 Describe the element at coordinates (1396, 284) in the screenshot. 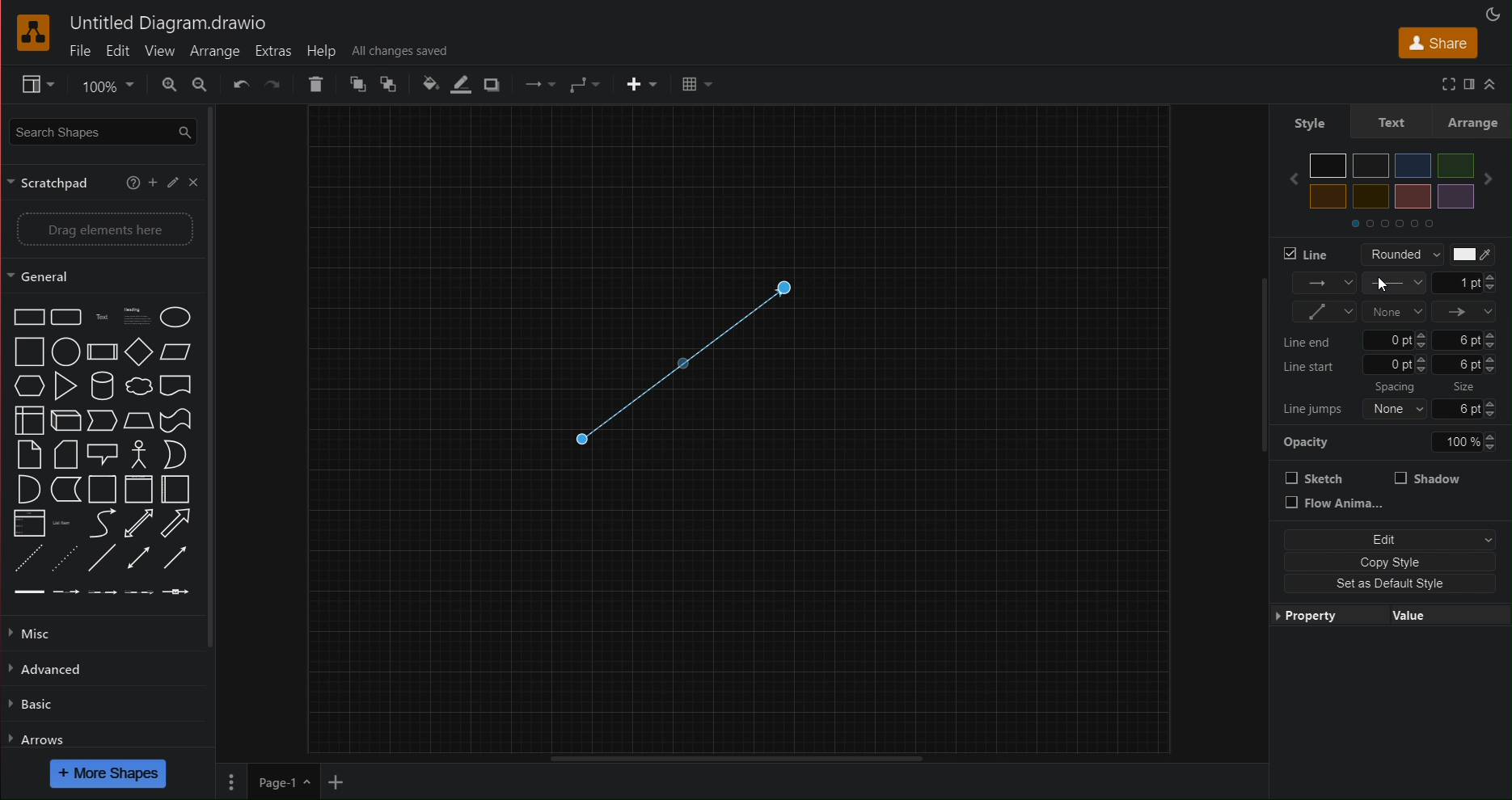

I see `Line Type` at that location.